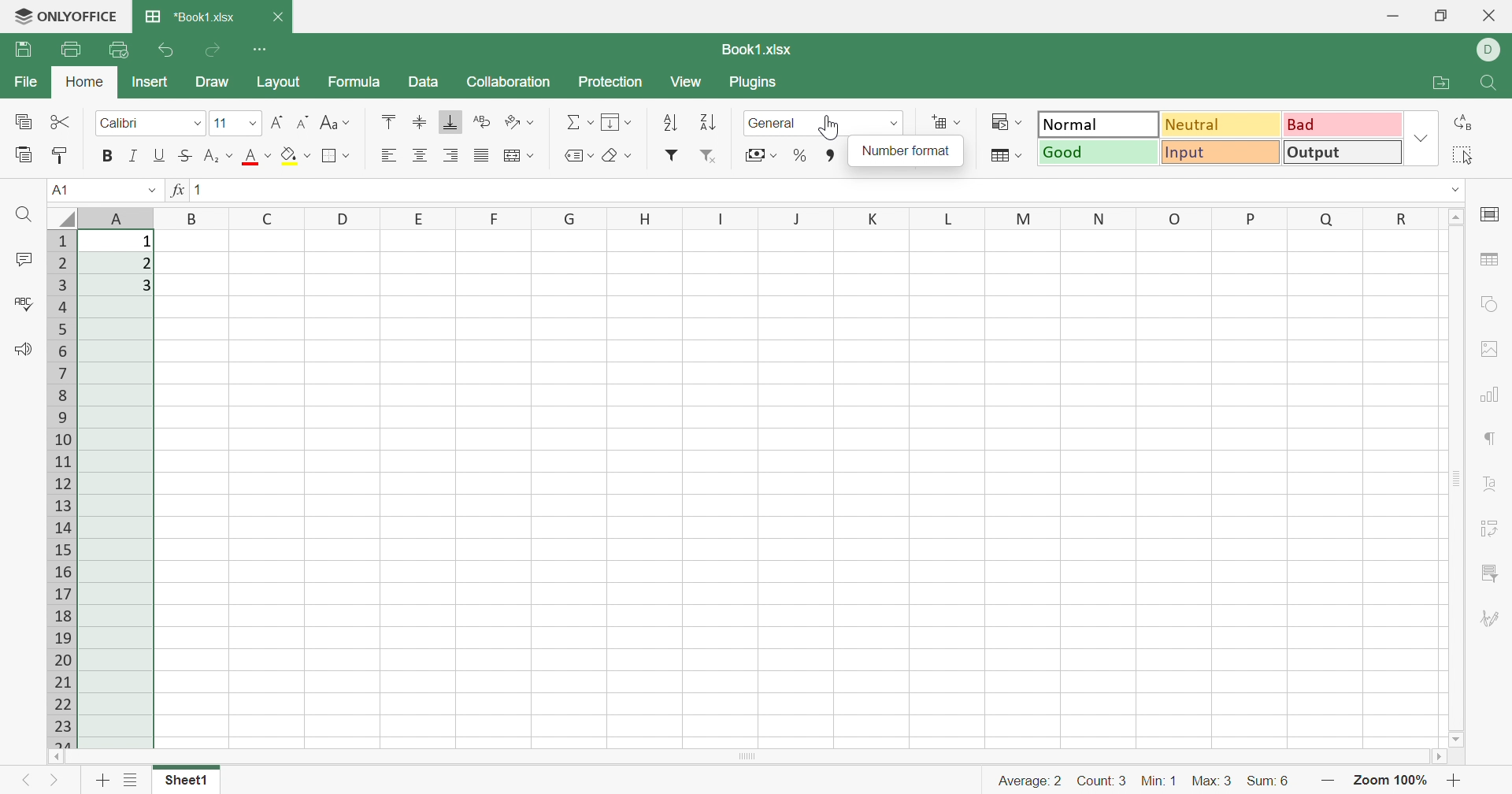  I want to click on Min:1, so click(1158, 781).